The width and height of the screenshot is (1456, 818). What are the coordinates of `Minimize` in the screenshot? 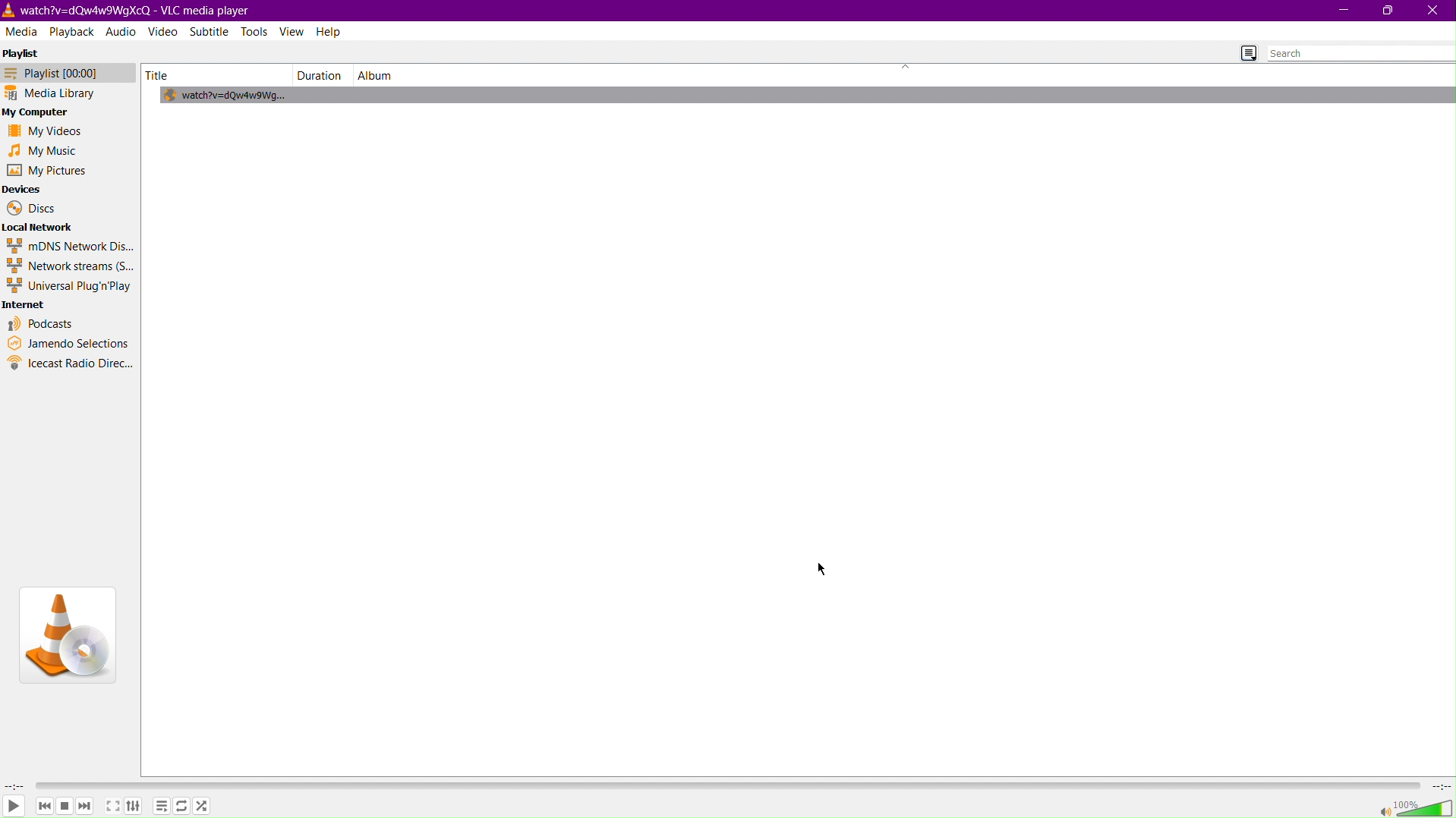 It's located at (1346, 11).